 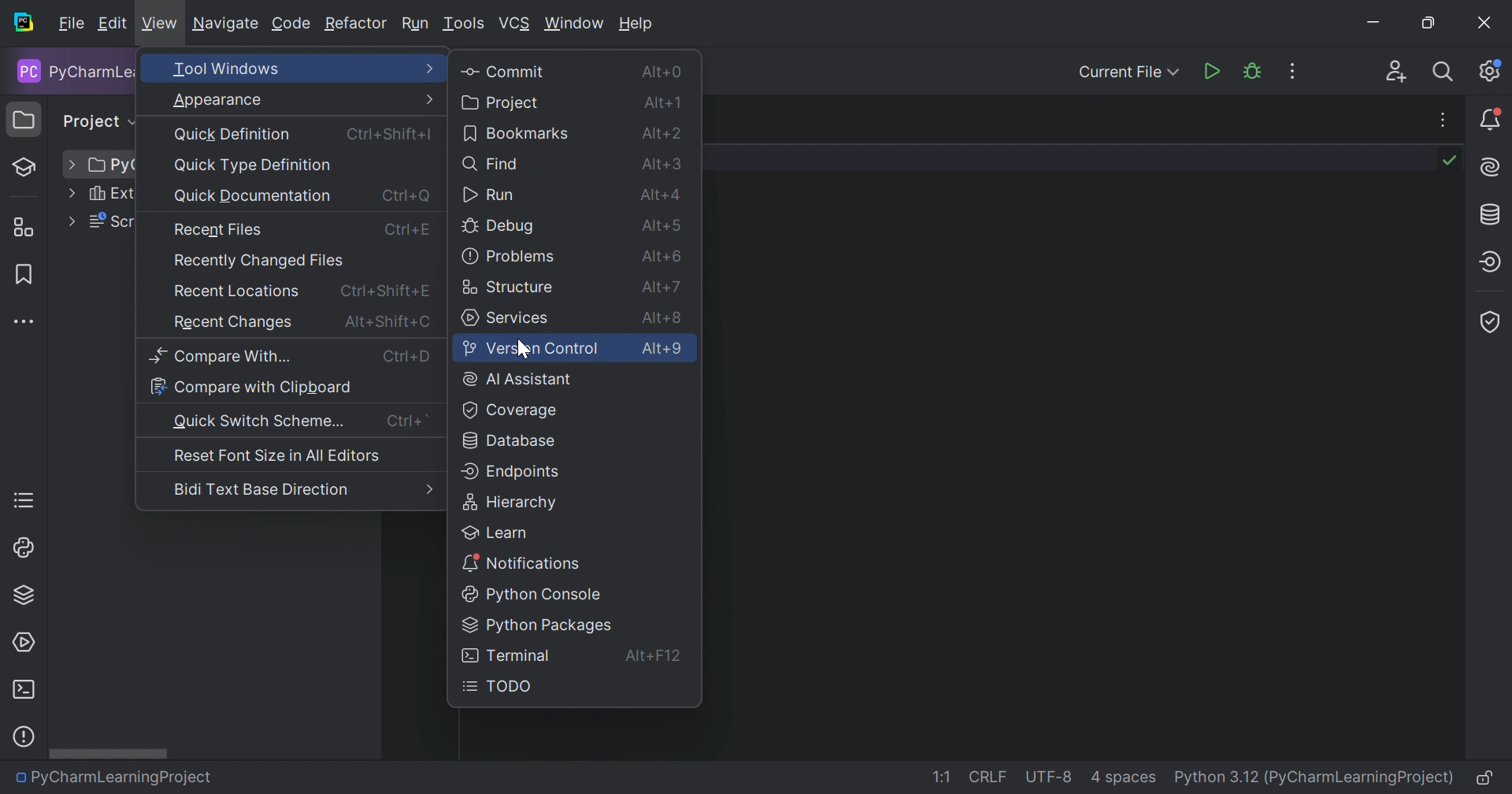 I want to click on Recent Locations, so click(x=237, y=291).